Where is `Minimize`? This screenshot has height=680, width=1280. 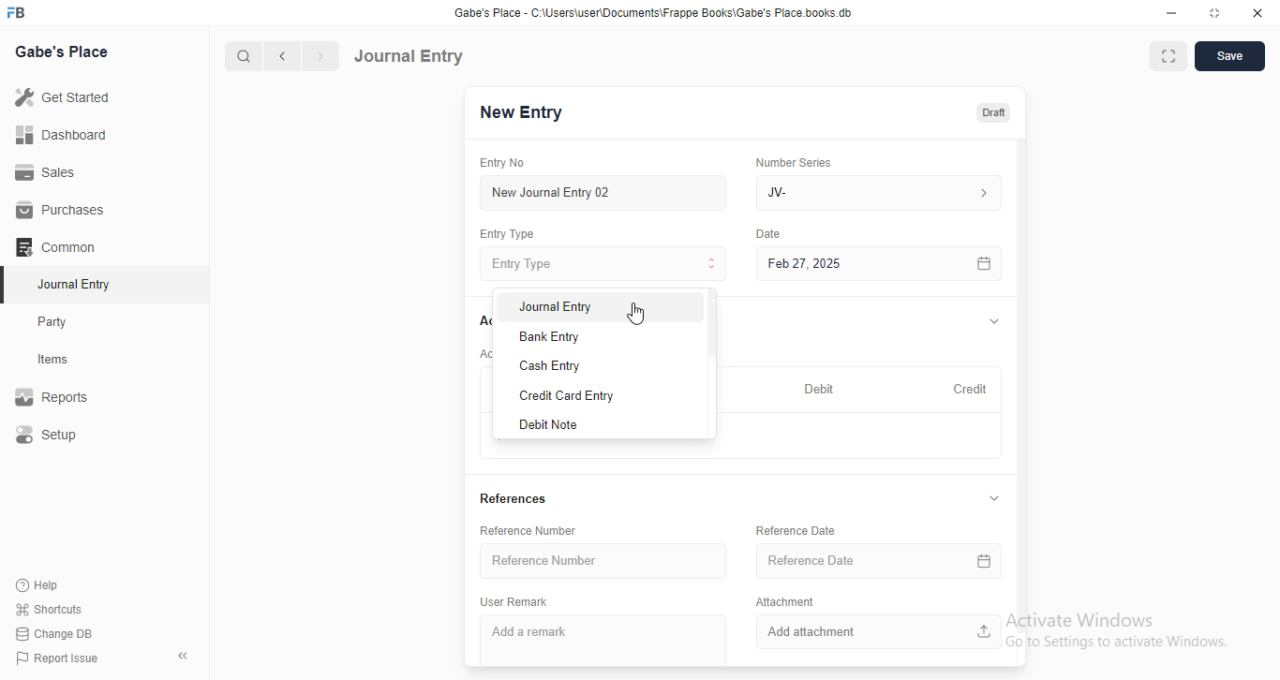 Minimize is located at coordinates (1172, 13).